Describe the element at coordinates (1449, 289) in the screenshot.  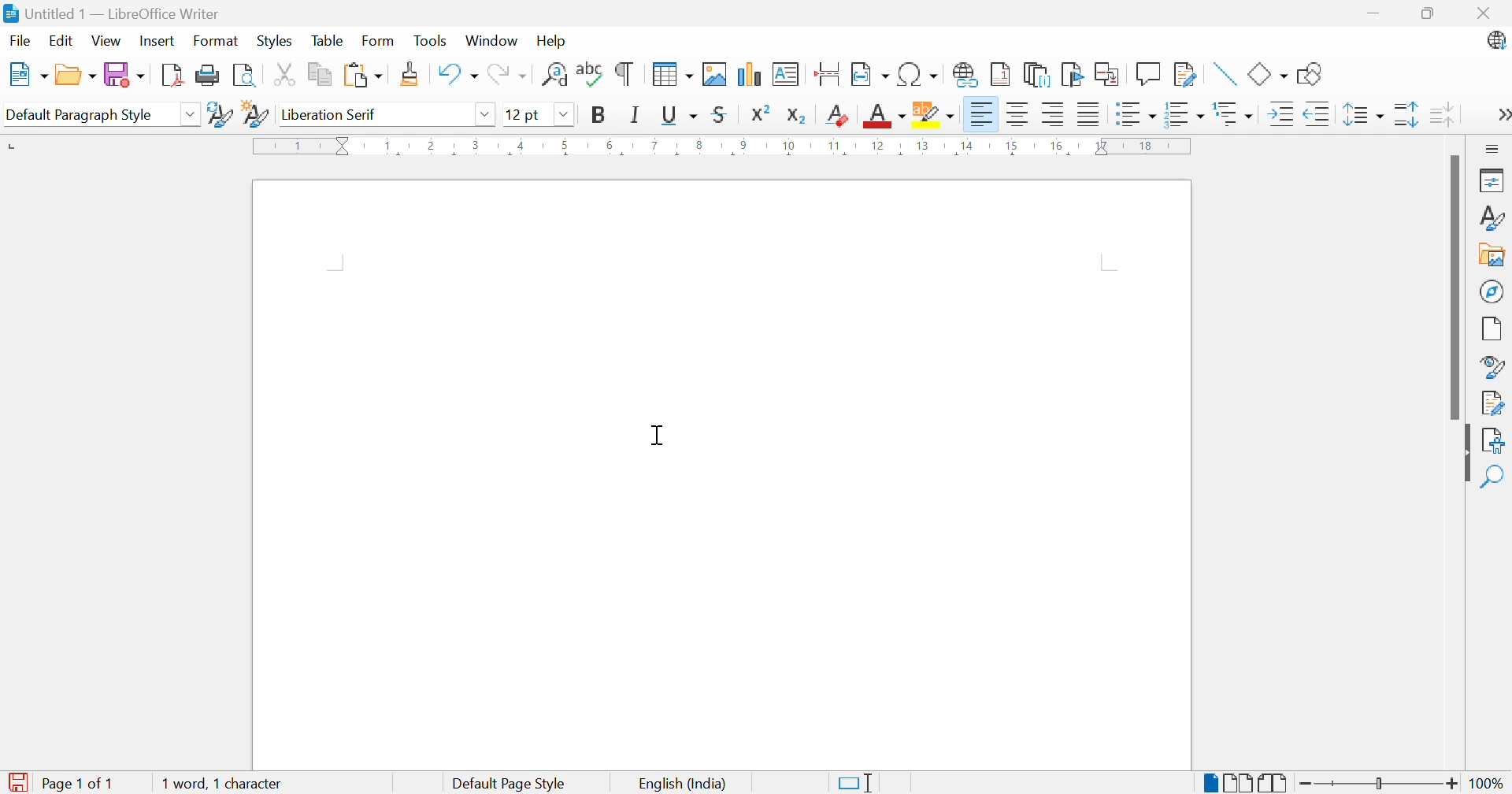
I see `Scroll bar` at that location.